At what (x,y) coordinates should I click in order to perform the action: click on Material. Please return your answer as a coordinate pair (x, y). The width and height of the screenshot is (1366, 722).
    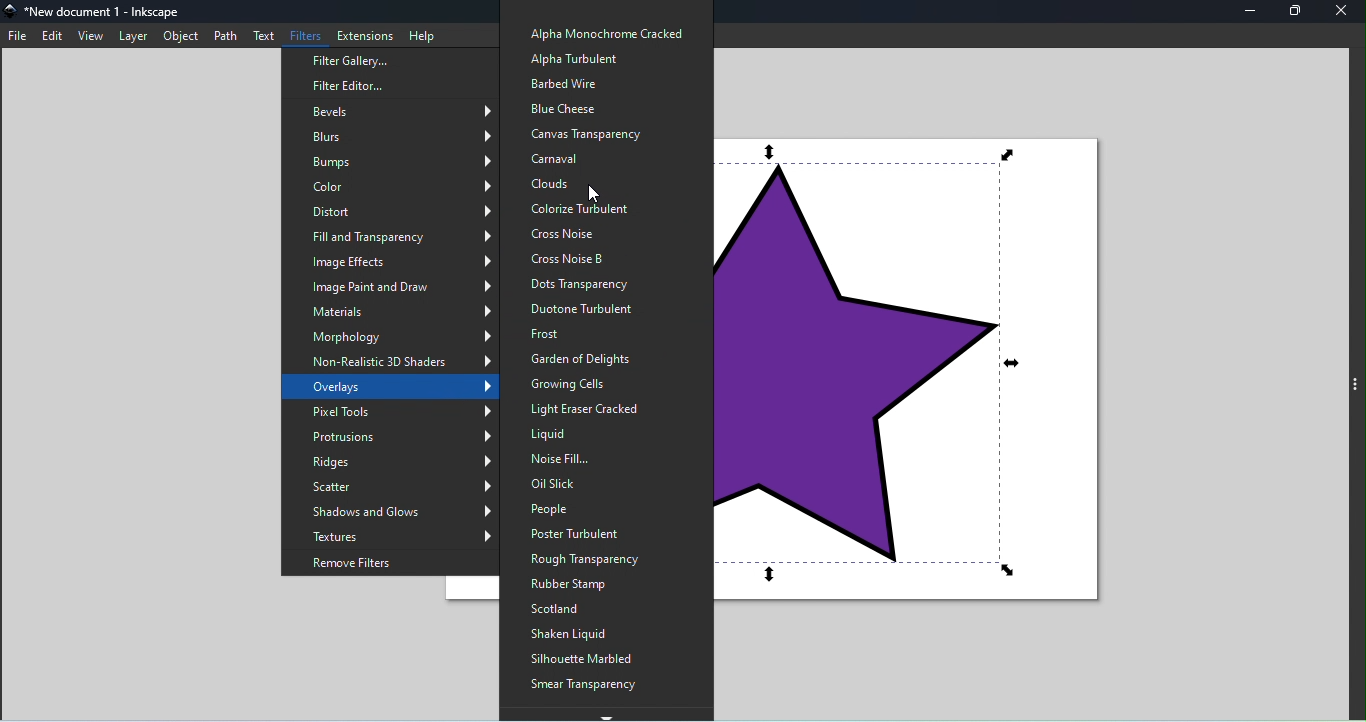
    Looking at the image, I should click on (403, 312).